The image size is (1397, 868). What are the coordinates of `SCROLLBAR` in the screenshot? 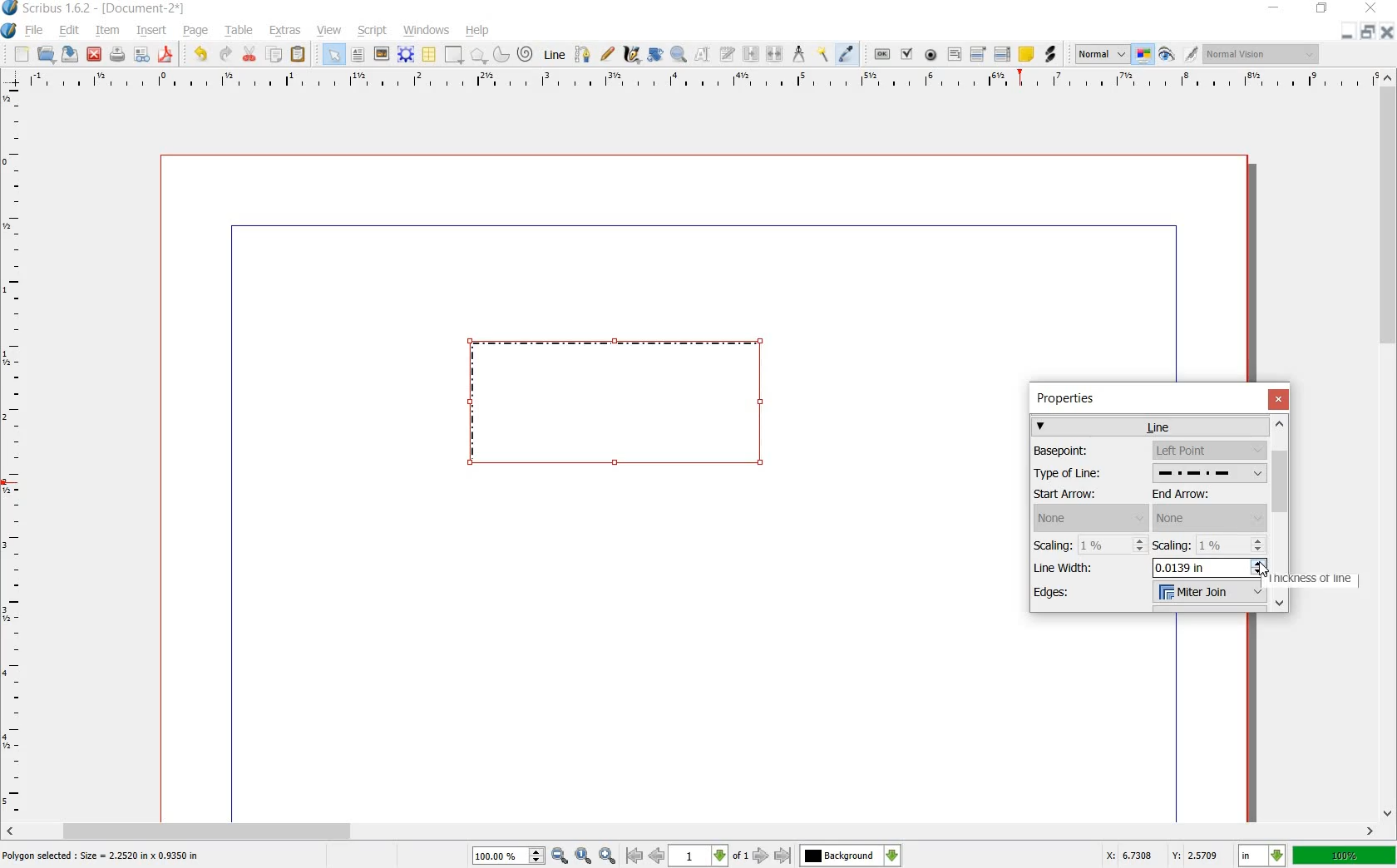 It's located at (690, 831).